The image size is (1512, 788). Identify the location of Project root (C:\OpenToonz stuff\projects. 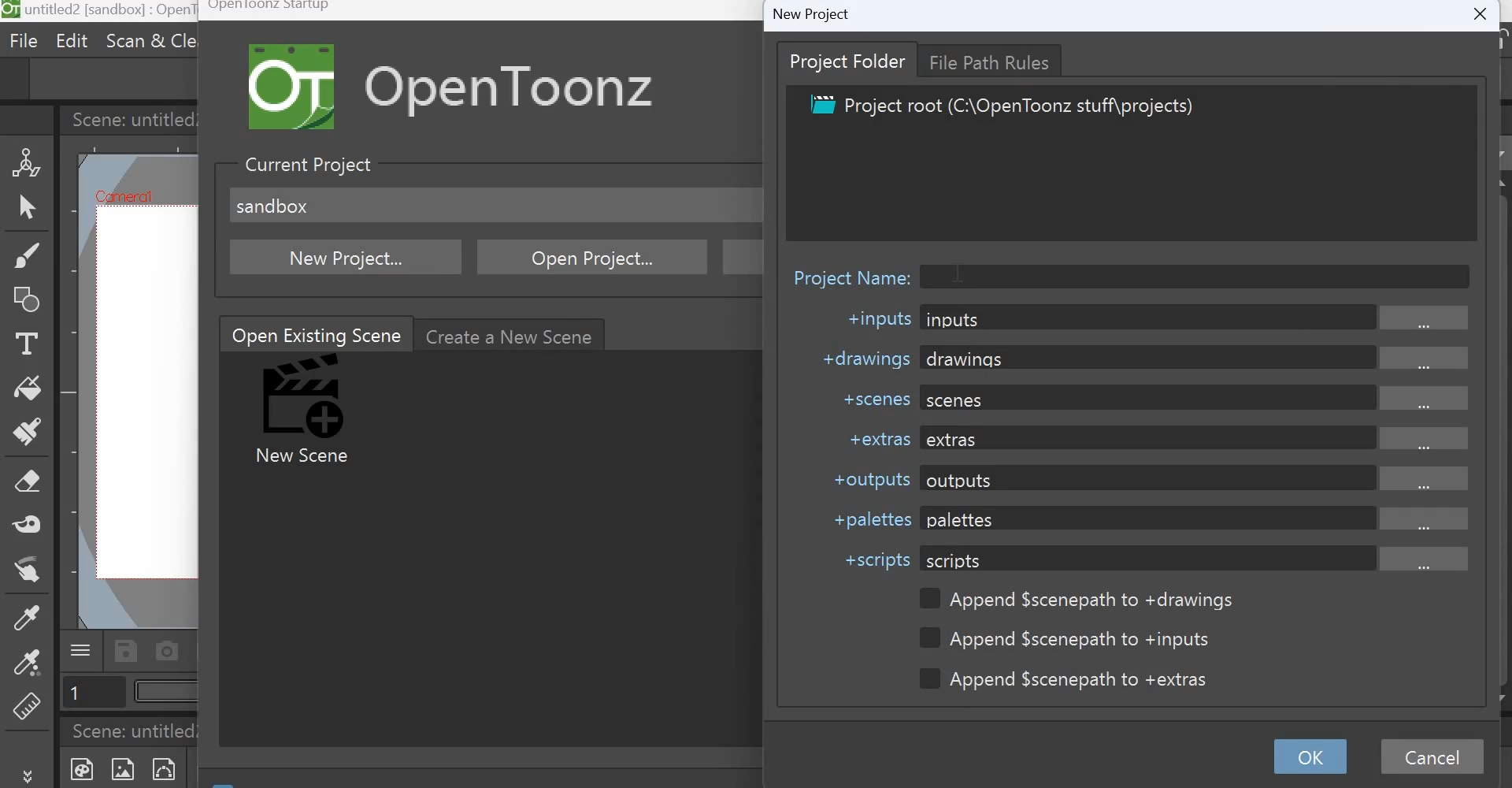
(1000, 107).